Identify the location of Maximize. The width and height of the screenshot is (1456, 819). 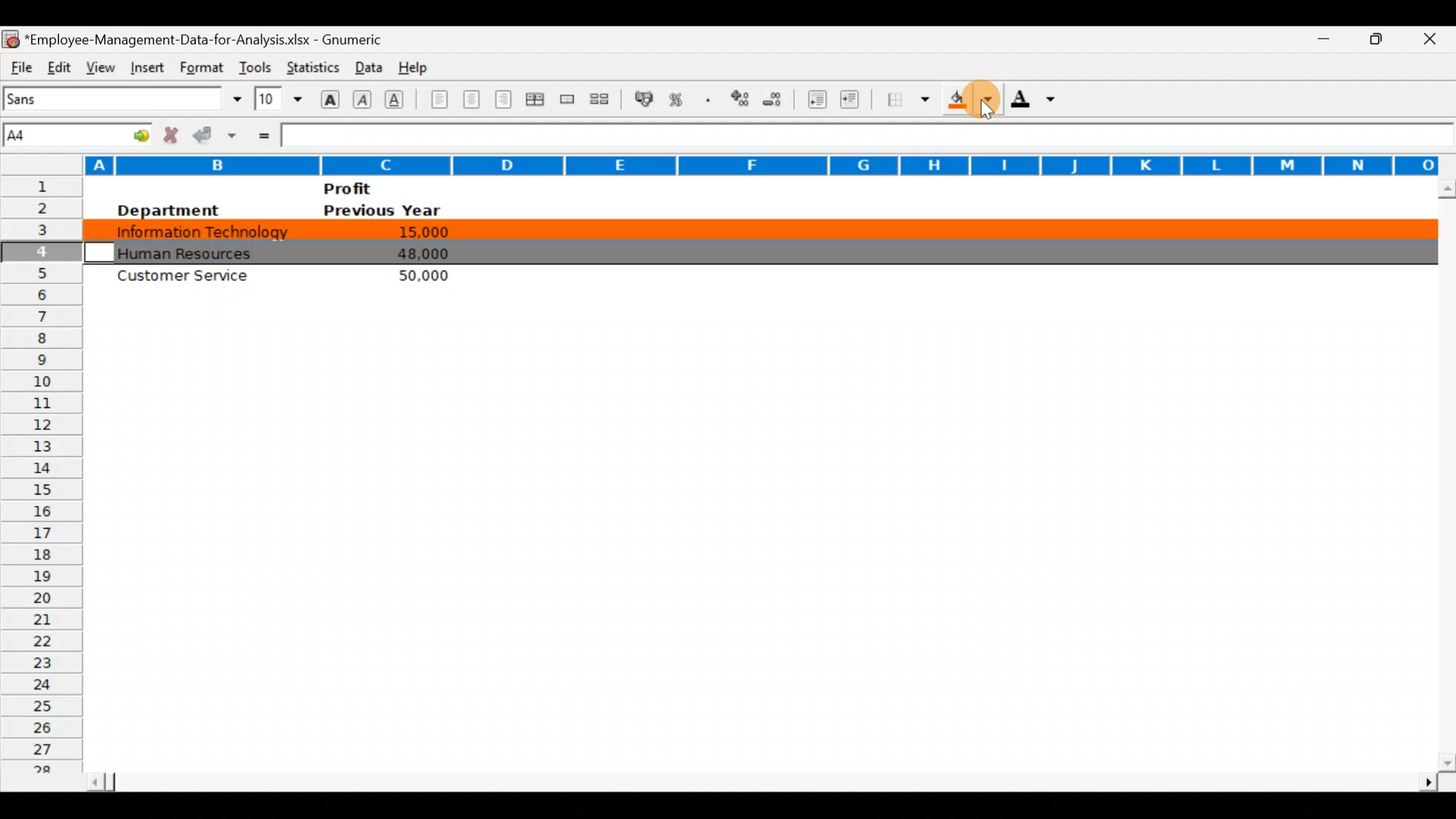
(1382, 37).